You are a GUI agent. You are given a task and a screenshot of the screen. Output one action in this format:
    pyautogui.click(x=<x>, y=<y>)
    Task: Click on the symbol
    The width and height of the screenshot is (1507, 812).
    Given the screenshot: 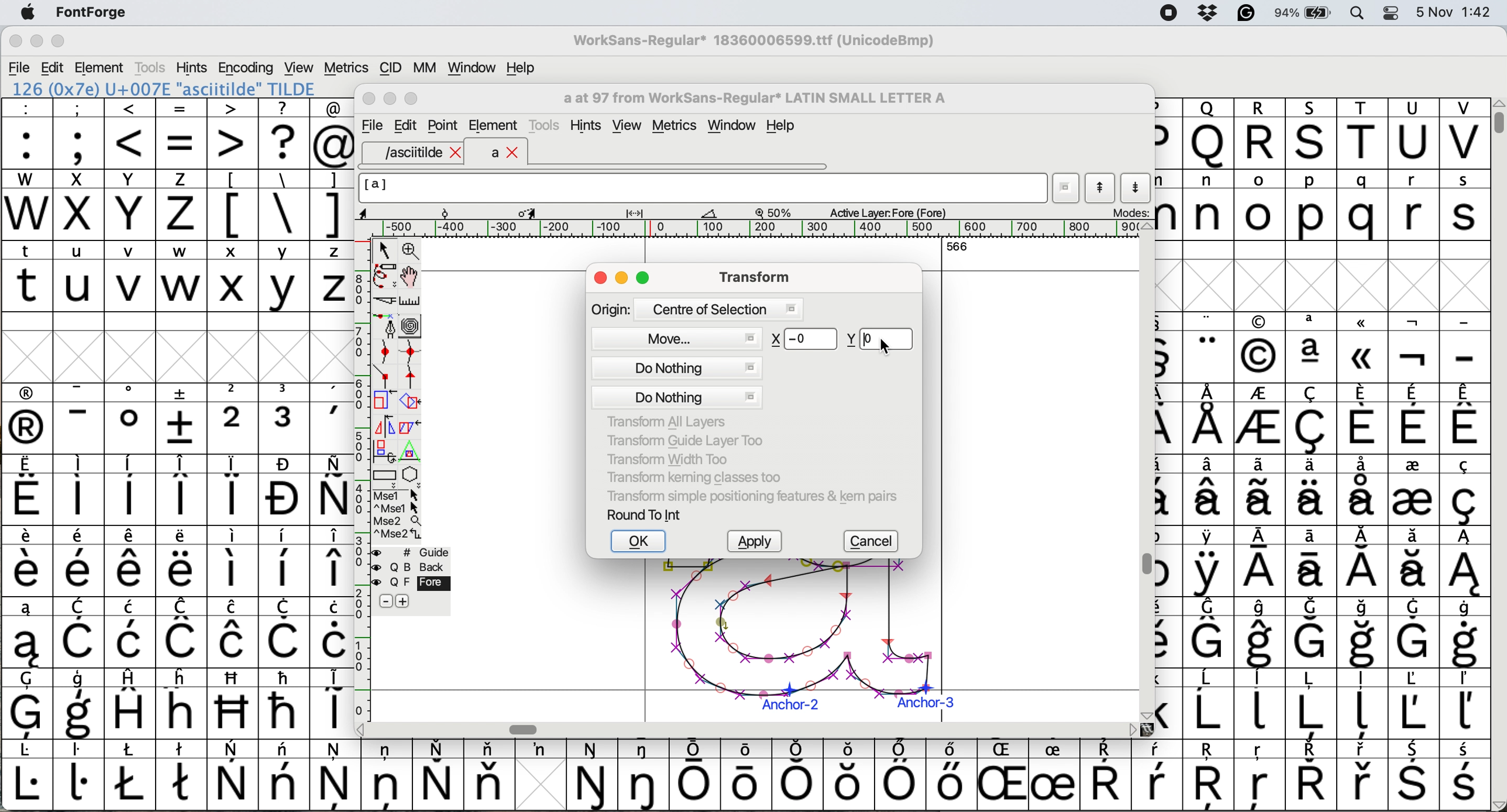 What is the action you would take?
    pyautogui.click(x=28, y=419)
    